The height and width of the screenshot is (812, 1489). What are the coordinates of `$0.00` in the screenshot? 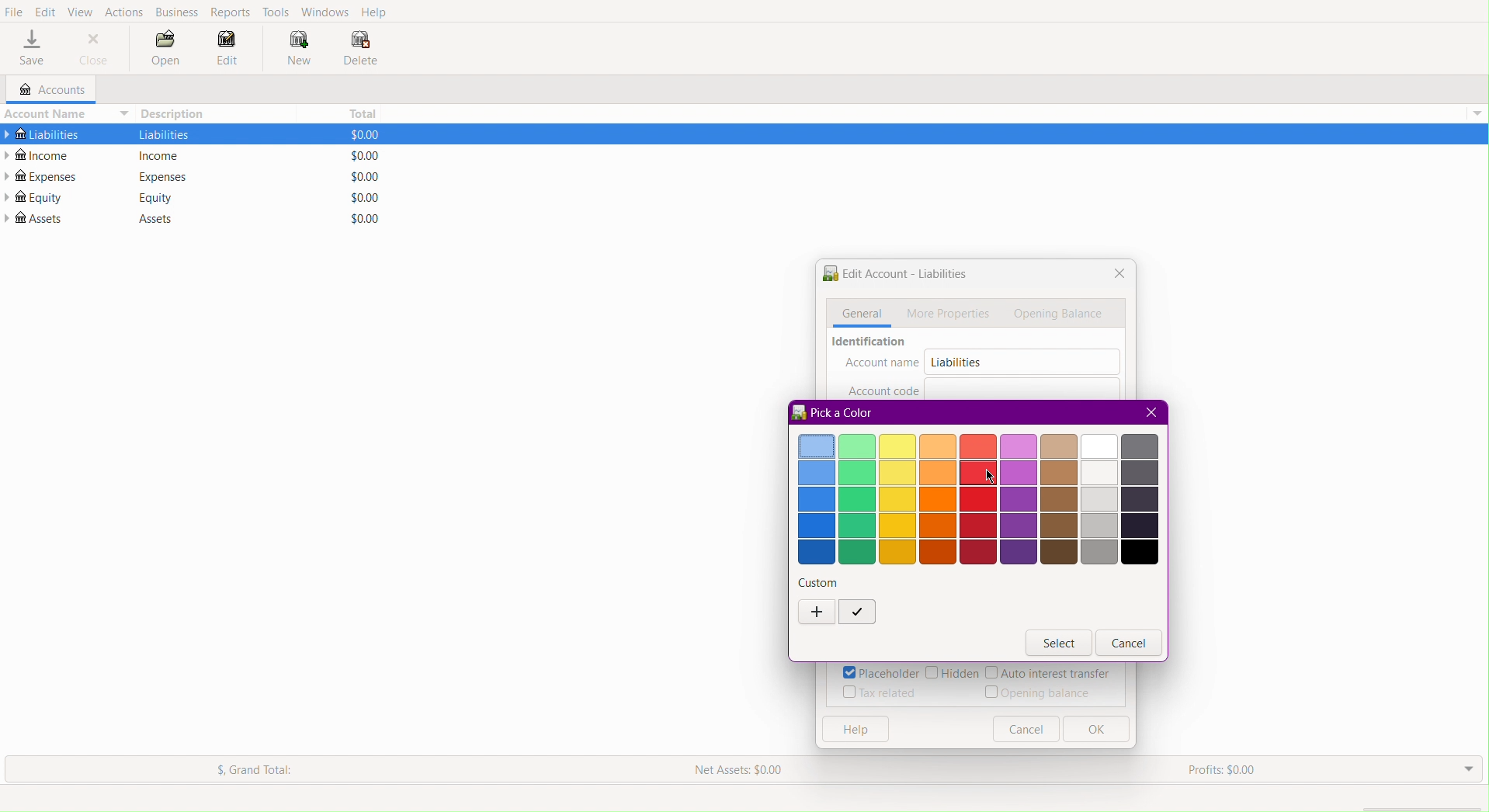 It's located at (360, 197).